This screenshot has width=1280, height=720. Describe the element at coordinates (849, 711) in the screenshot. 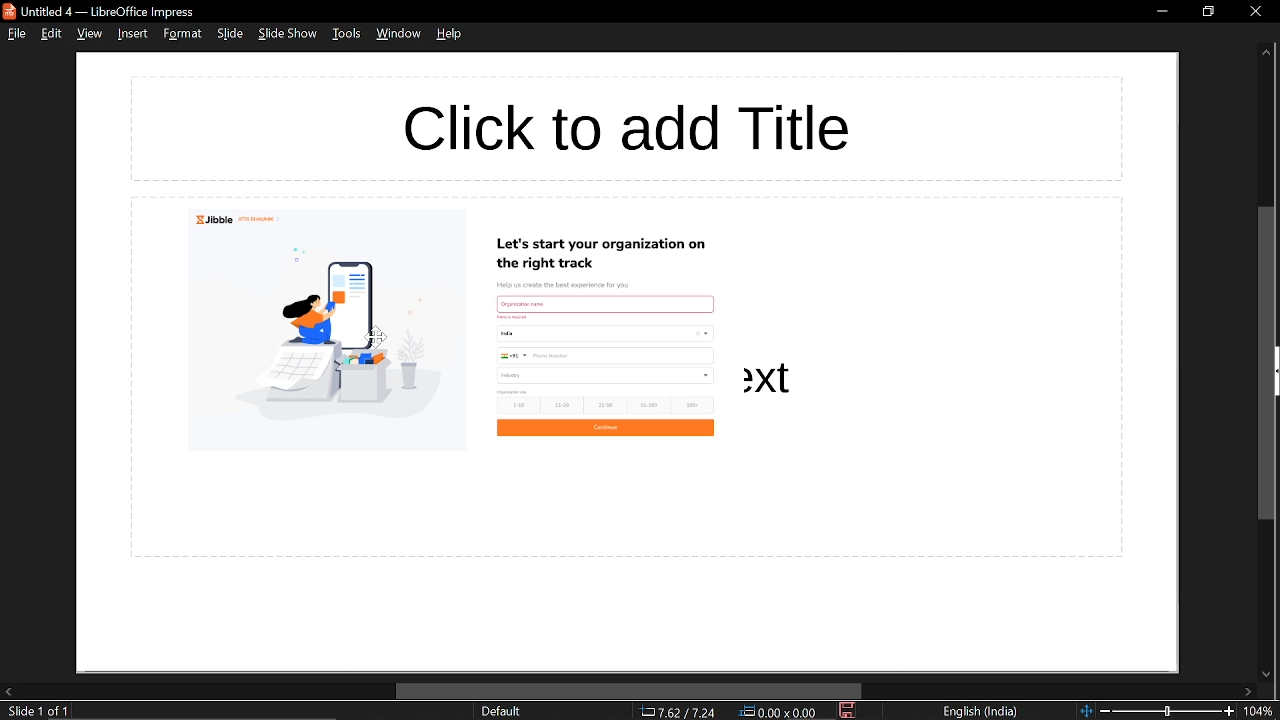

I see `save` at that location.